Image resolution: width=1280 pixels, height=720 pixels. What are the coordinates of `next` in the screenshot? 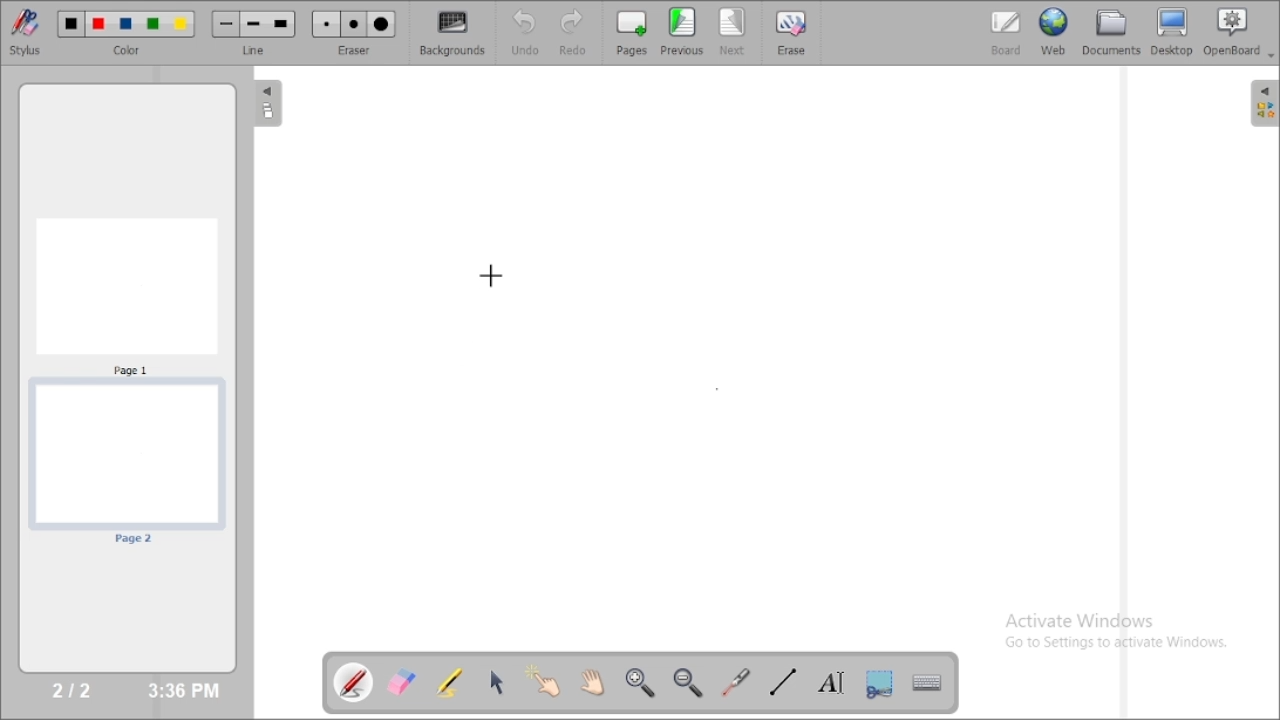 It's located at (733, 32).